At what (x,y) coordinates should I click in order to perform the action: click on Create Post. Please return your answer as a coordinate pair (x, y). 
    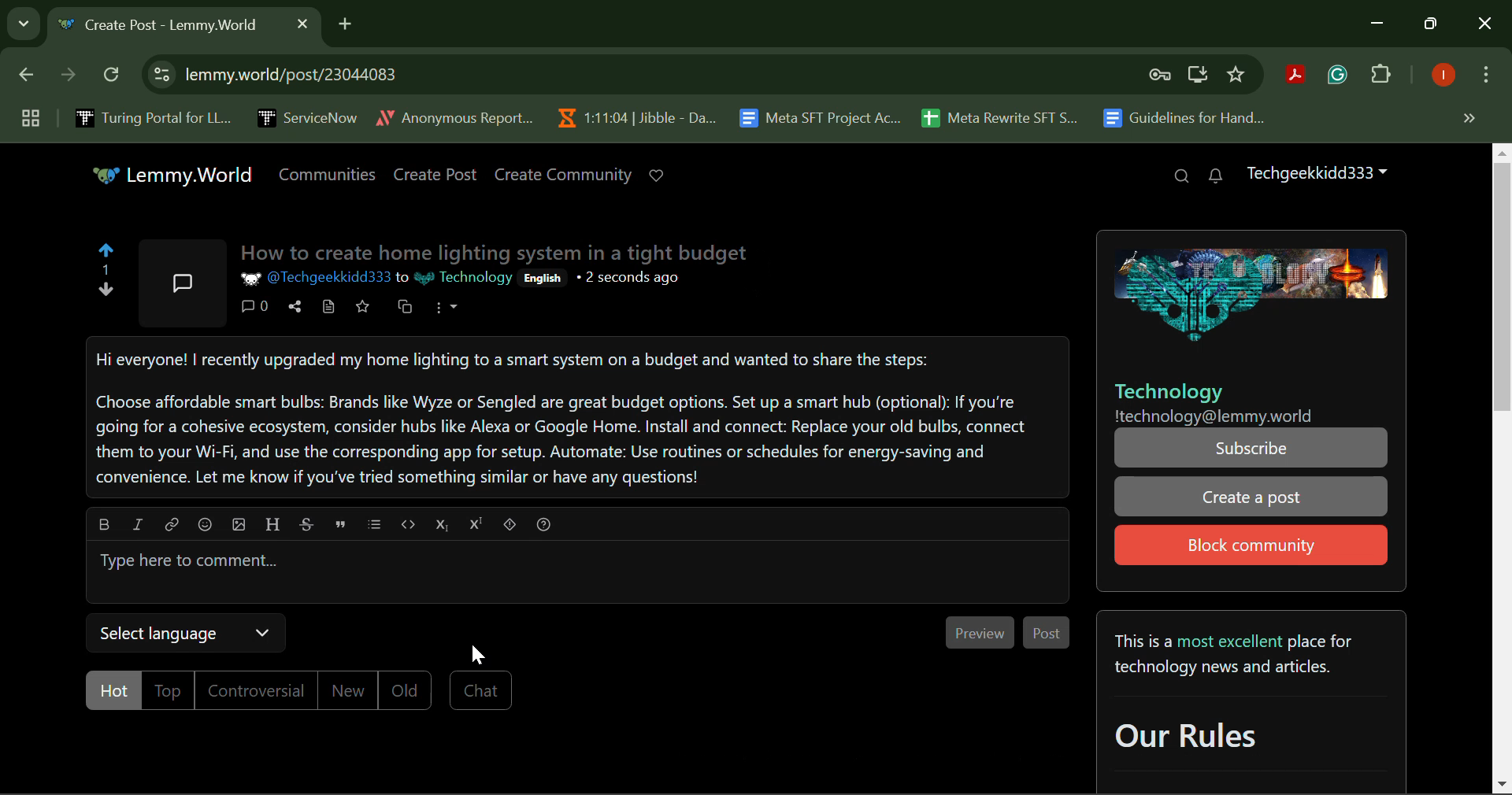
    Looking at the image, I should click on (436, 174).